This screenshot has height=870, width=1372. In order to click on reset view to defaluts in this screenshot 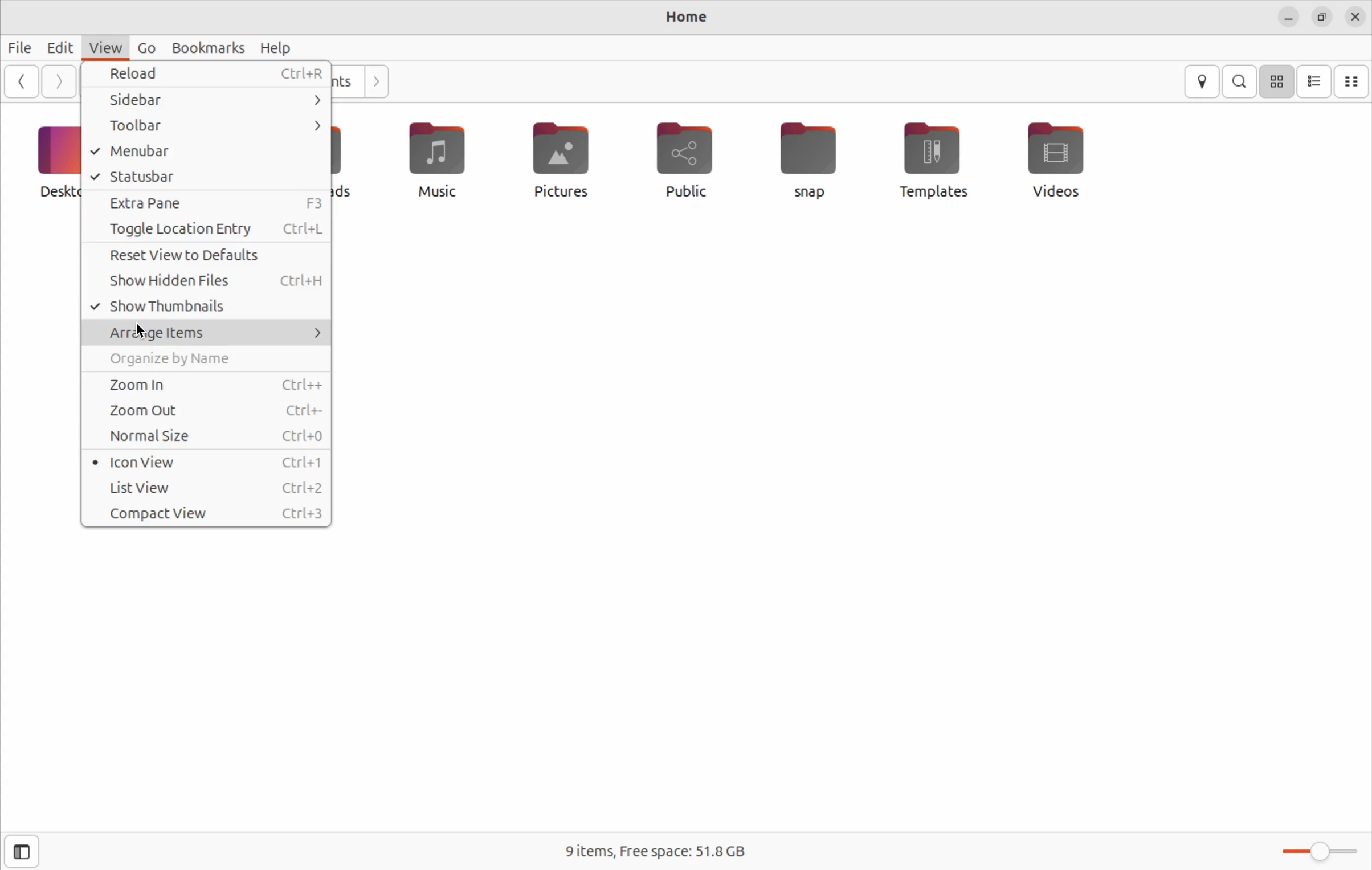, I will do `click(206, 256)`.